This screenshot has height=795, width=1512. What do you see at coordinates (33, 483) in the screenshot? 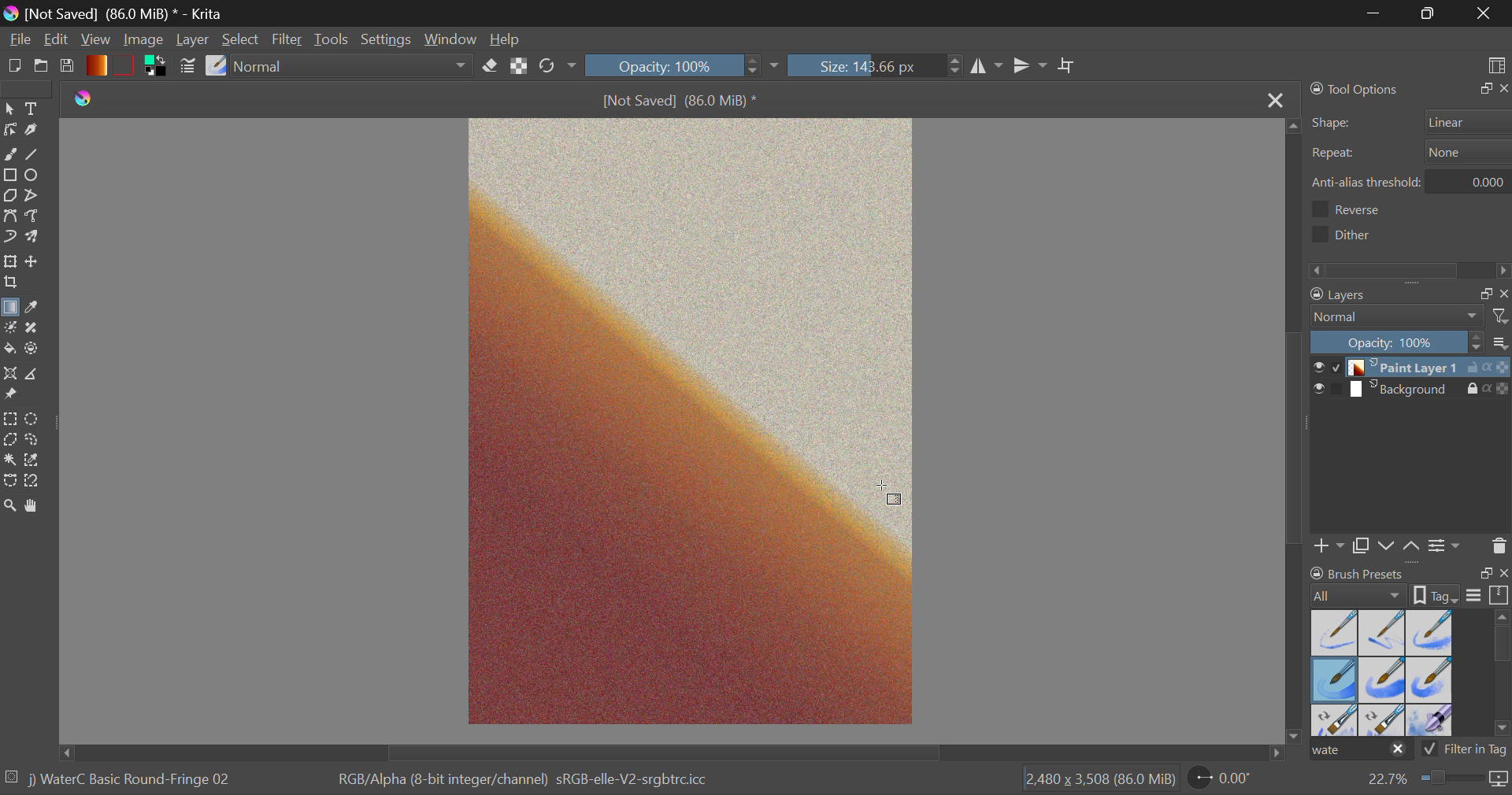
I see `Magnetic Selection` at bounding box center [33, 483].